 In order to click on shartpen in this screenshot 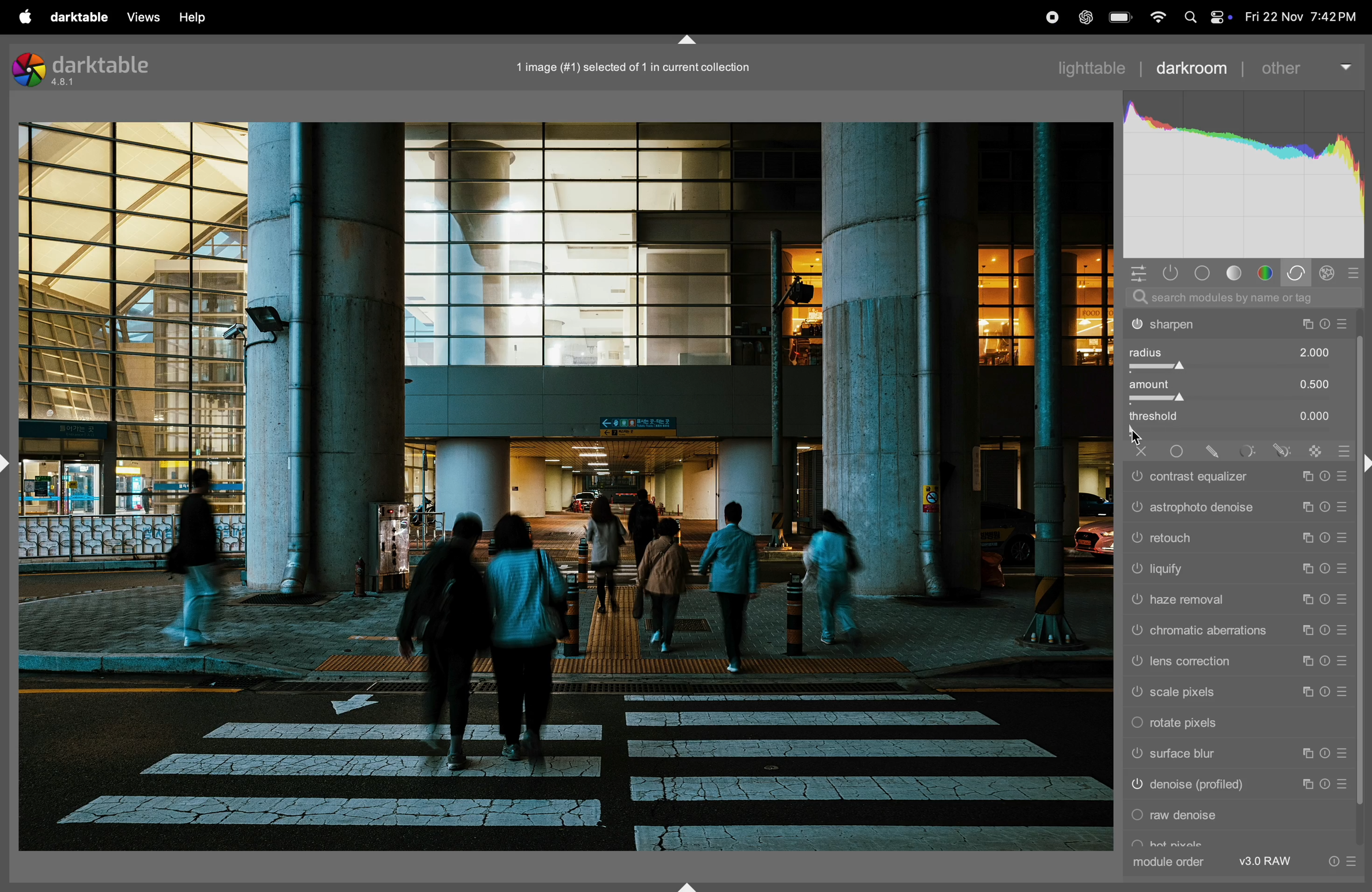, I will do `click(1239, 325)`.